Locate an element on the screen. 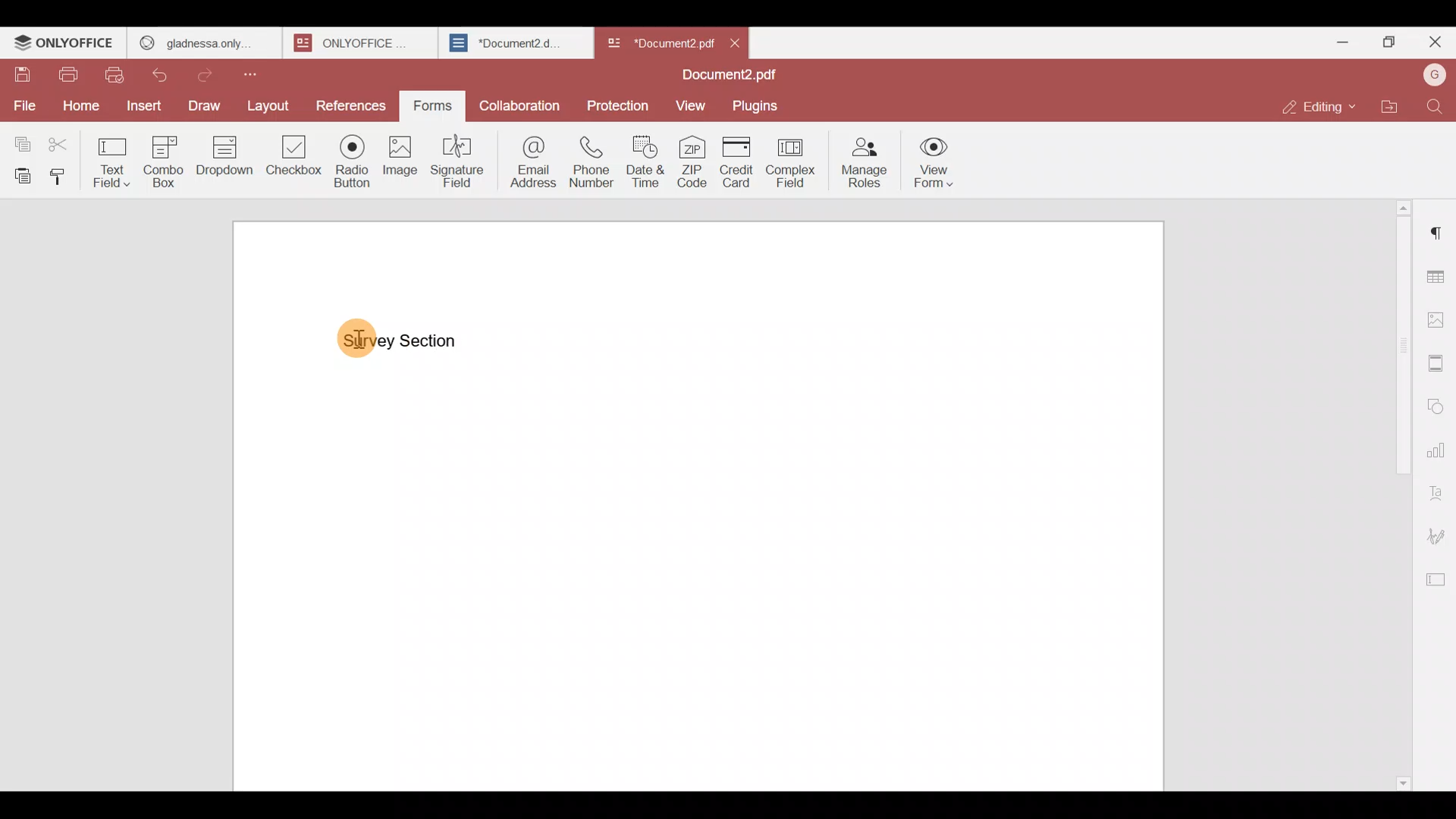  Header & footer settings is located at coordinates (1439, 367).